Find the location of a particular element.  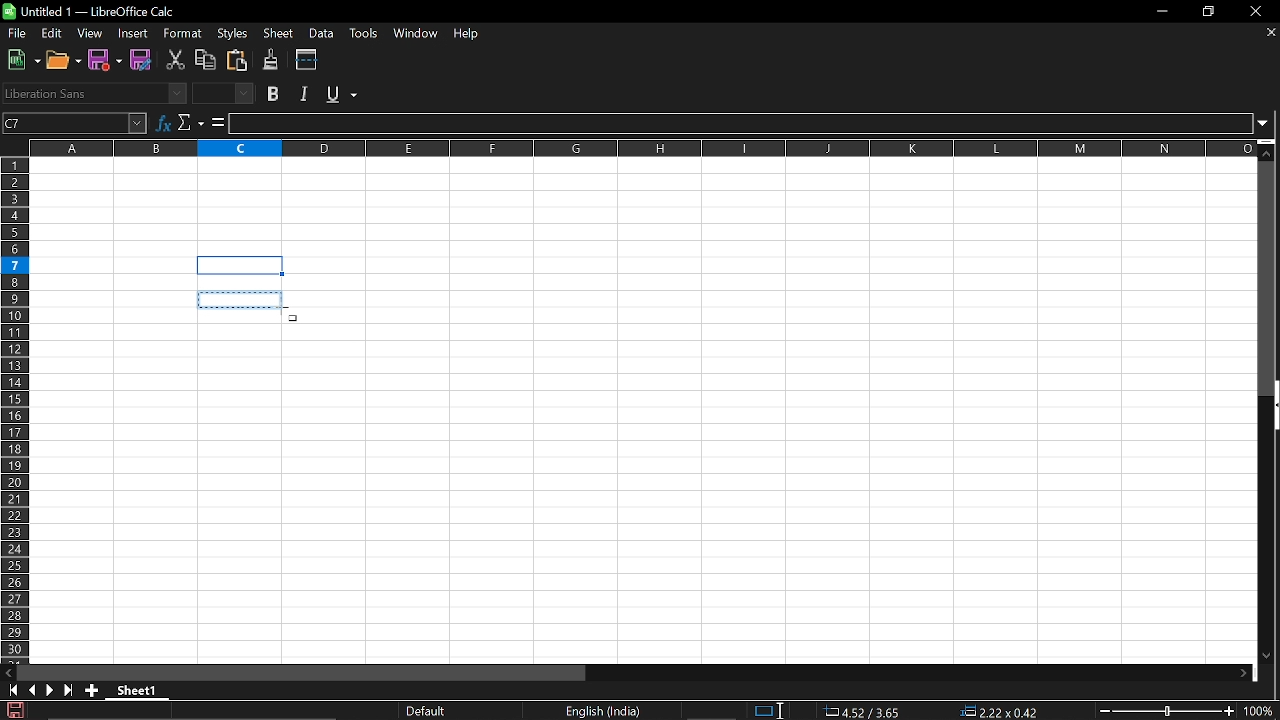

Edit is located at coordinates (53, 34).